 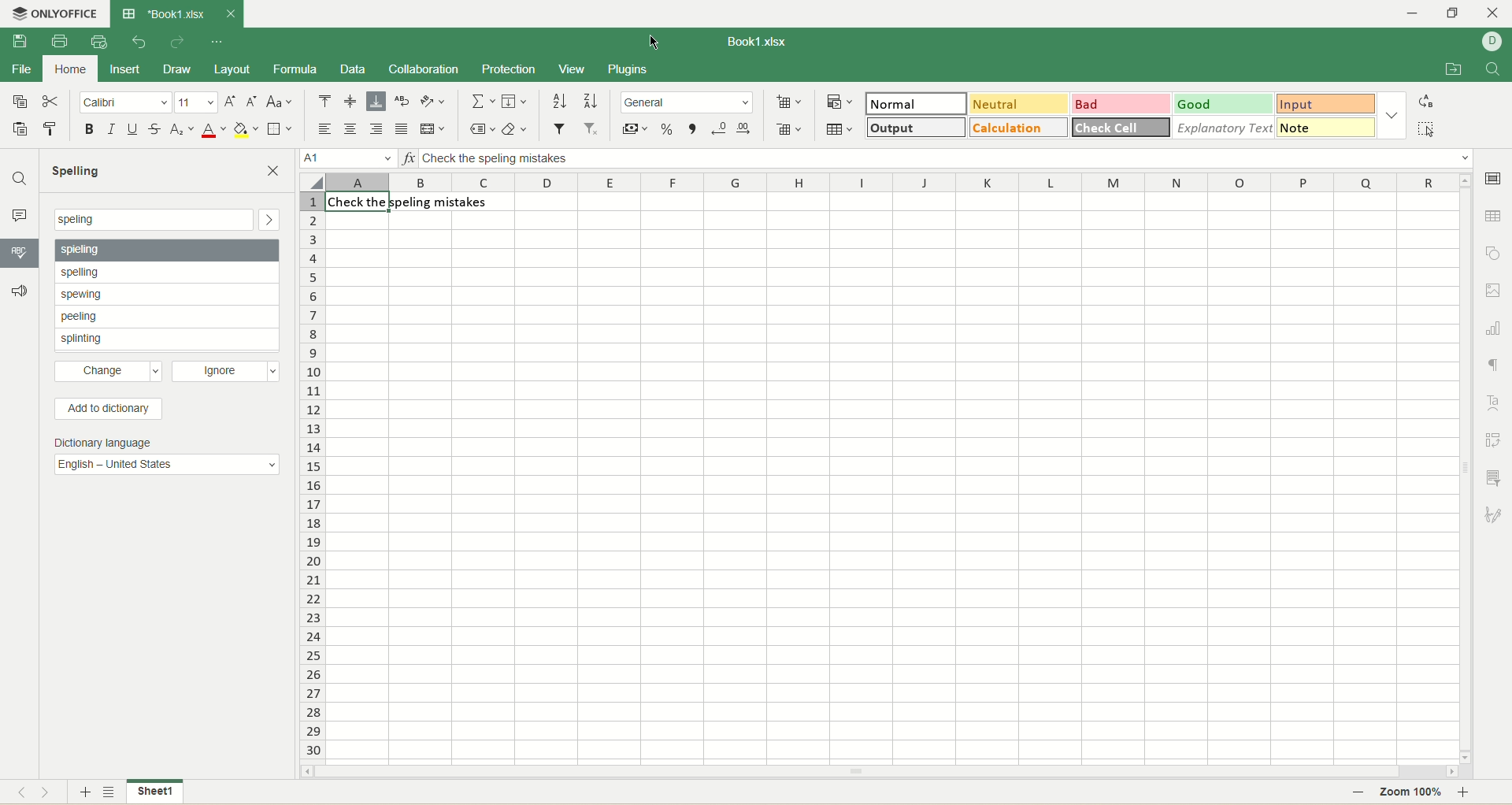 I want to click on remove filter, so click(x=588, y=129).